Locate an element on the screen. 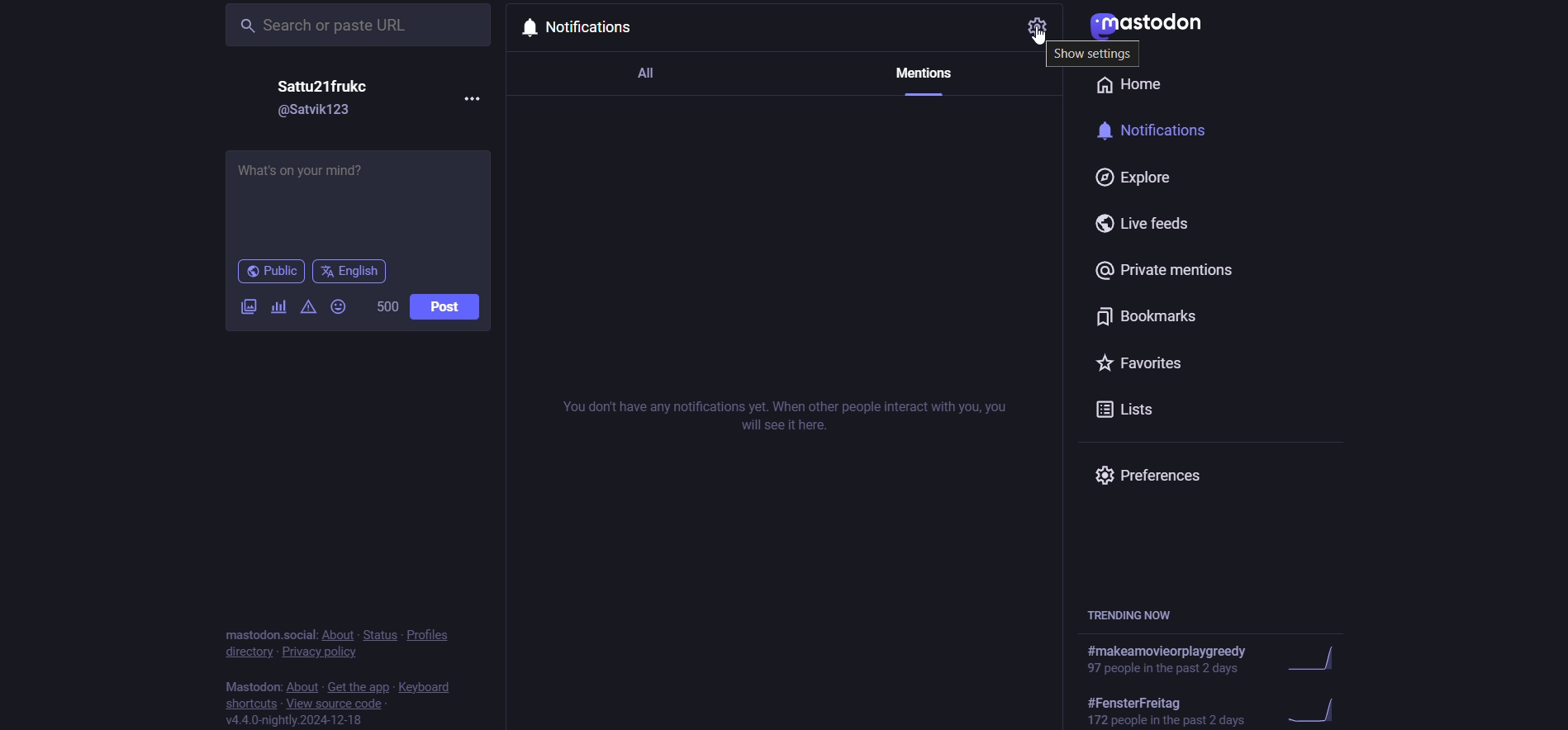  v4.4.0-nightly.2024-12-18 is located at coordinates (298, 721).